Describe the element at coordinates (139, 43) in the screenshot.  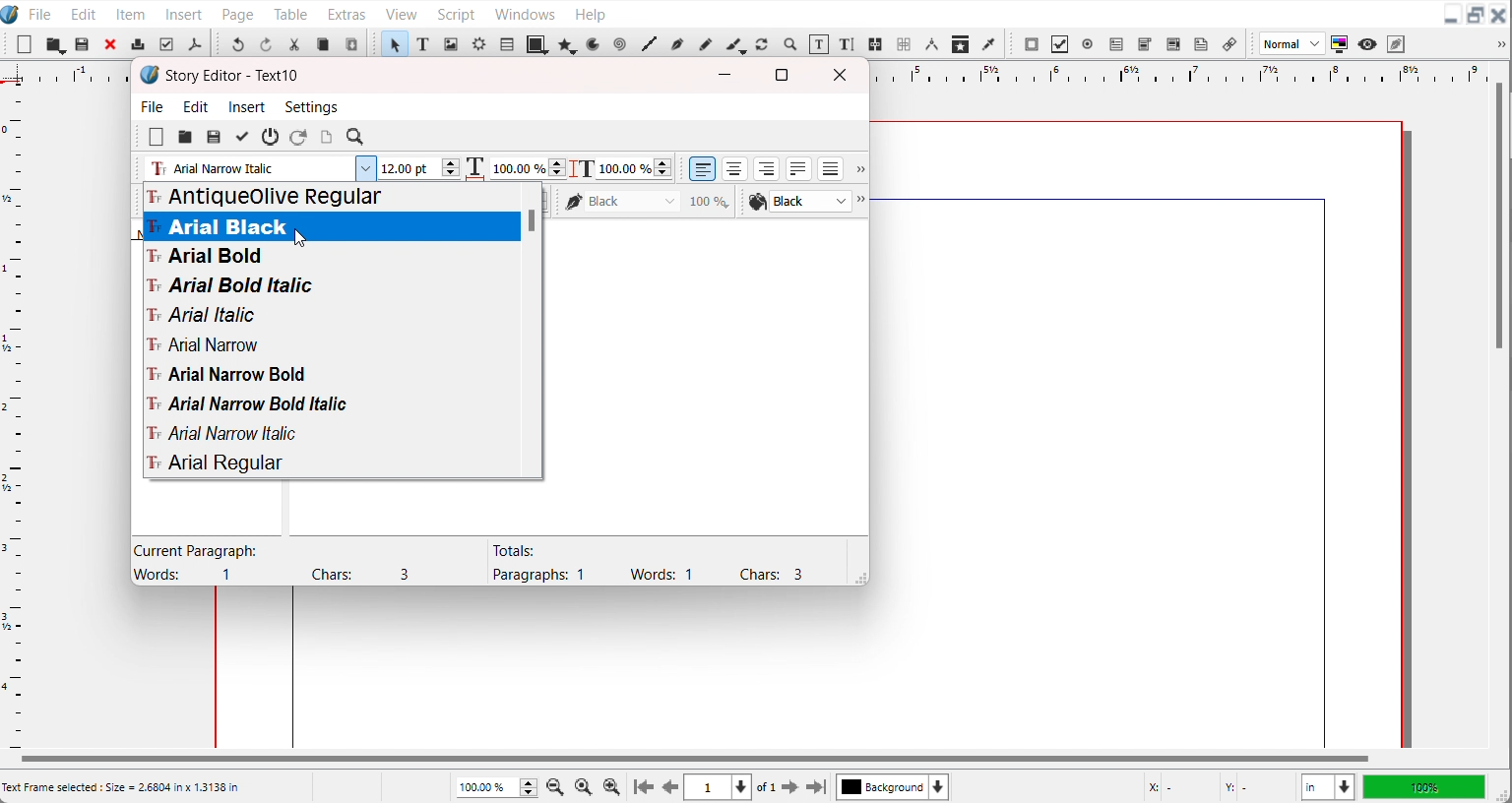
I see `Print` at that location.